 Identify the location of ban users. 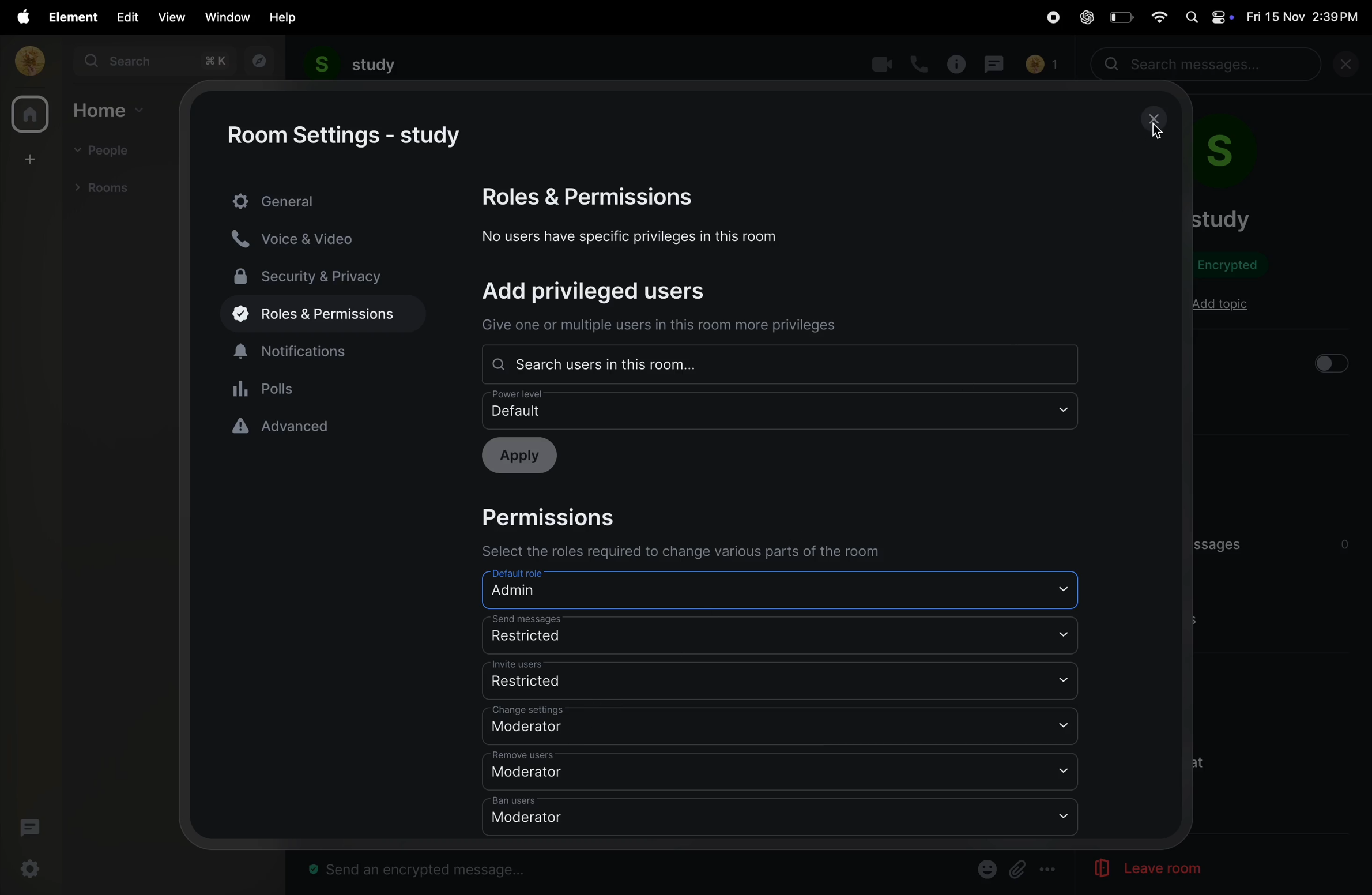
(779, 812).